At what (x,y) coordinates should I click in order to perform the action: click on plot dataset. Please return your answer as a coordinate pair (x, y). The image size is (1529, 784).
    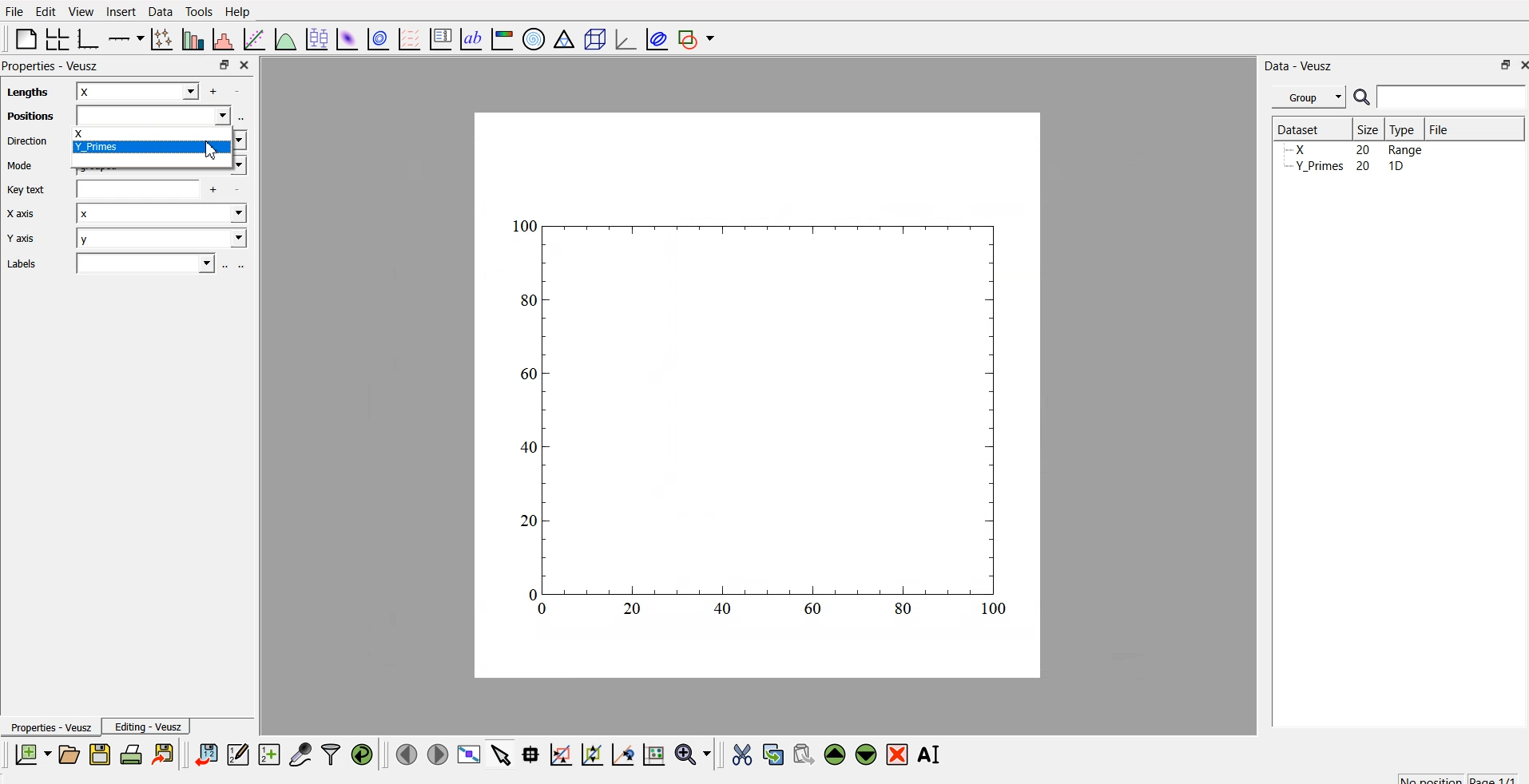
    Looking at the image, I should click on (347, 38).